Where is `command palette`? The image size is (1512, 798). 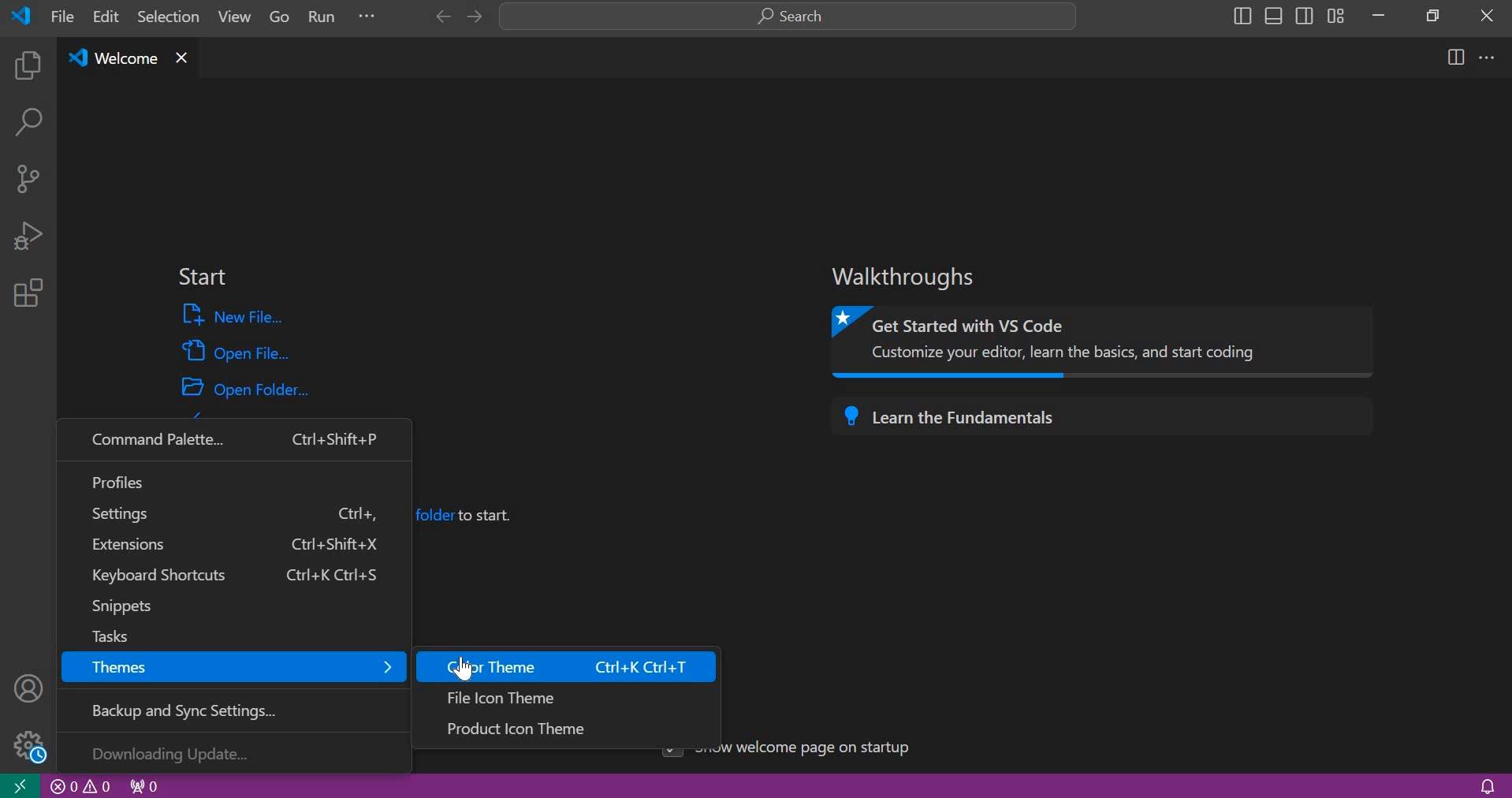 command palette is located at coordinates (234, 440).